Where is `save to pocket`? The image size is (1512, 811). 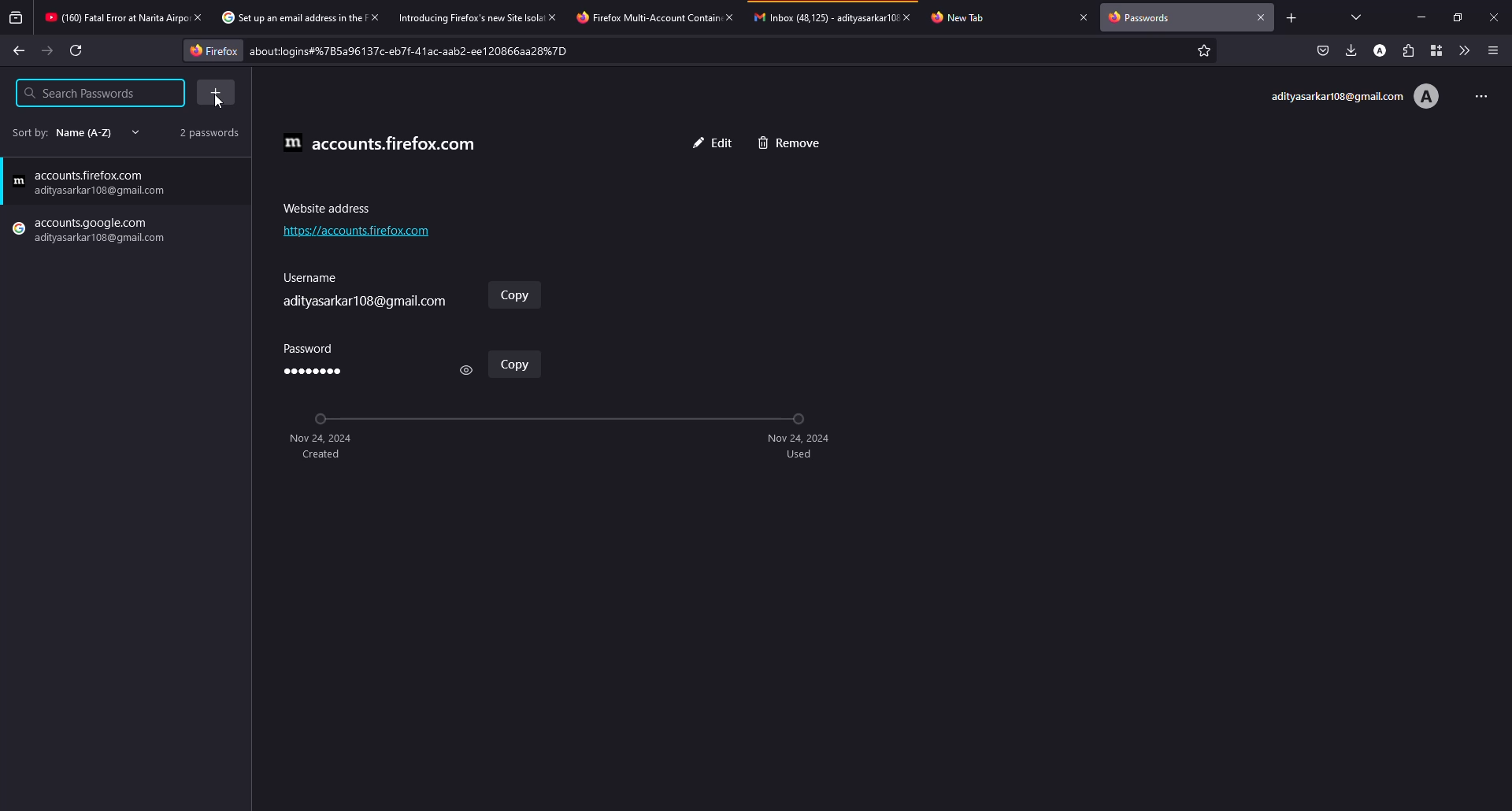 save to pocket is located at coordinates (1323, 50).